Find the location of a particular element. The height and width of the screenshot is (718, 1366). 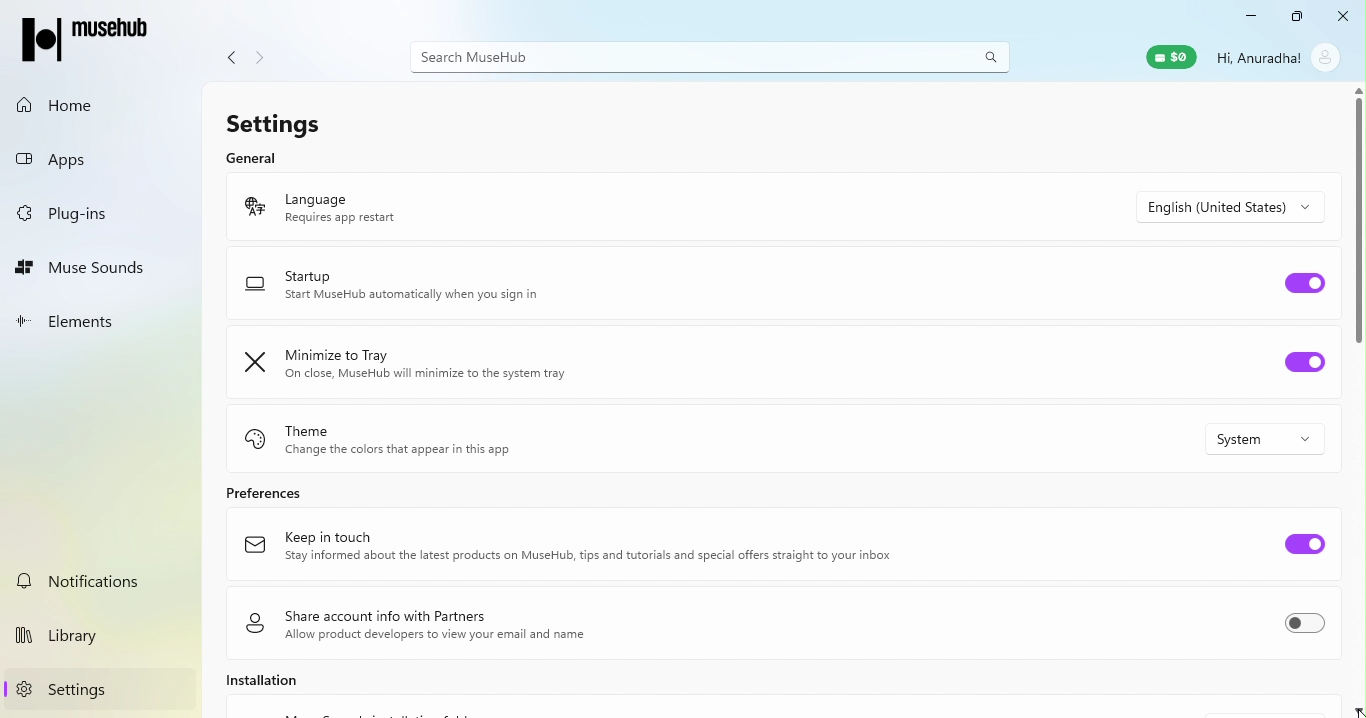

Keep in touch is located at coordinates (570, 549).